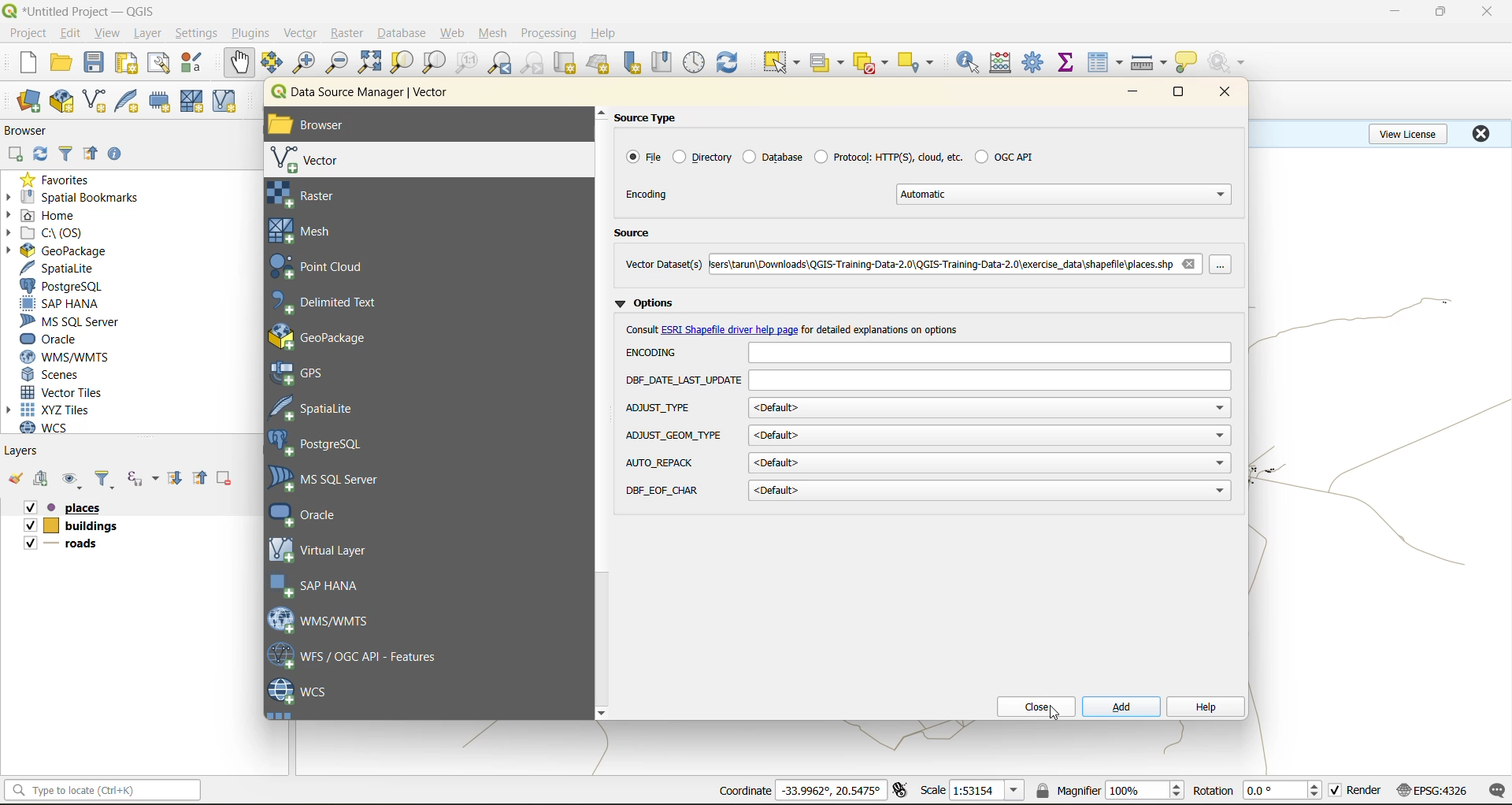  What do you see at coordinates (202, 478) in the screenshot?
I see `collapse all` at bounding box center [202, 478].